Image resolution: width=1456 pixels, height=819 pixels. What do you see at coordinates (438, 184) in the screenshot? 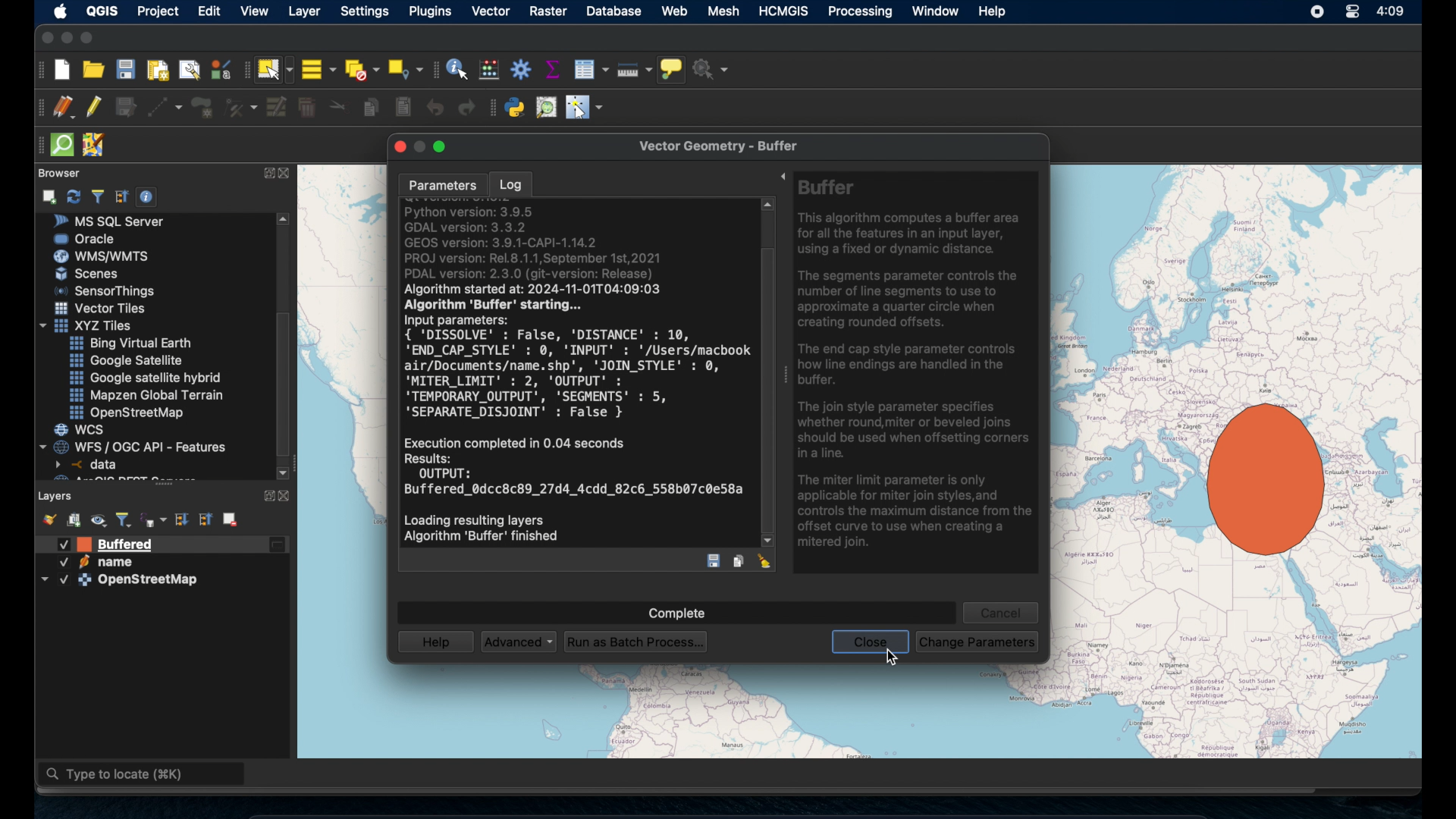
I see `parameters` at bounding box center [438, 184].